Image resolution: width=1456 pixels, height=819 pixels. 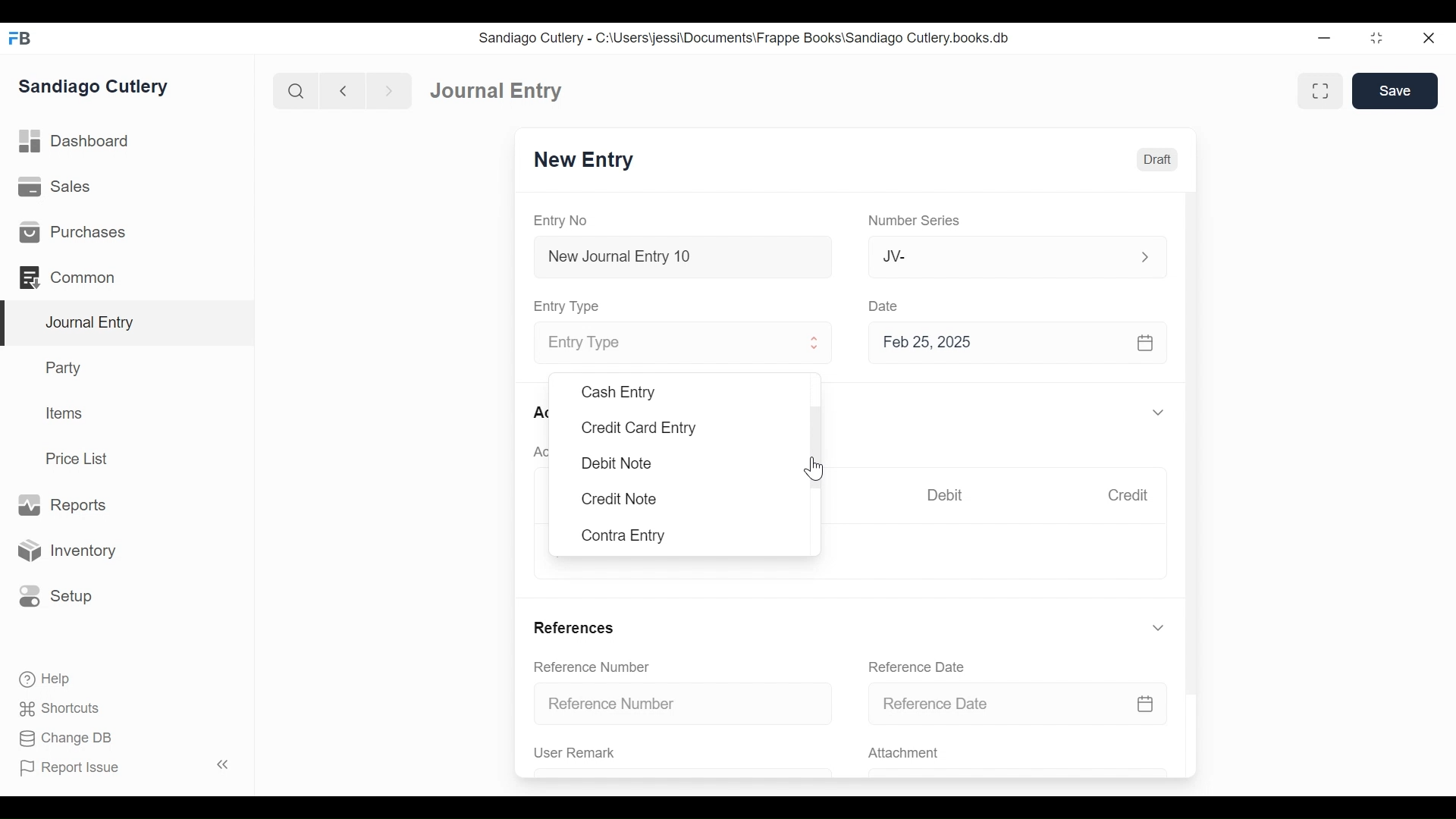 What do you see at coordinates (56, 595) in the screenshot?
I see `Setup` at bounding box center [56, 595].